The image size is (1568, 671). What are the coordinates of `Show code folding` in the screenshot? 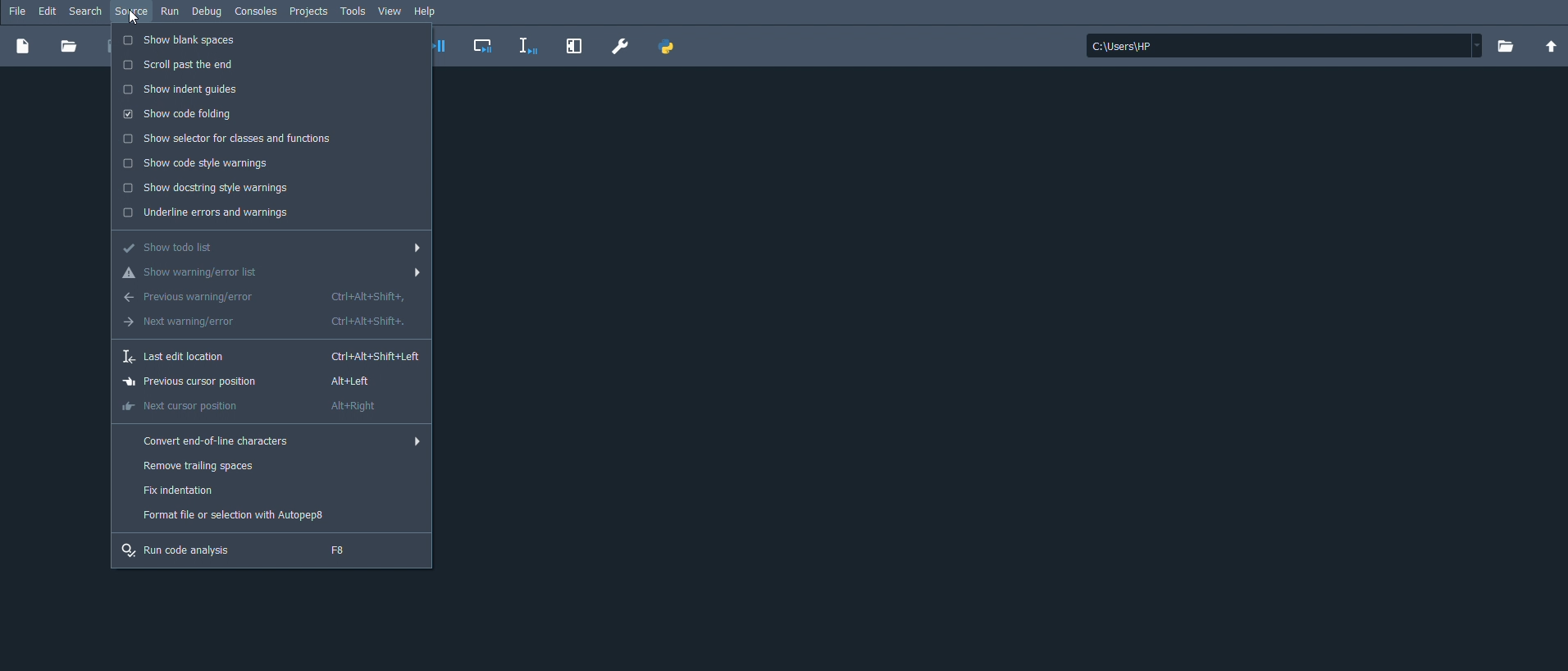 It's located at (182, 113).